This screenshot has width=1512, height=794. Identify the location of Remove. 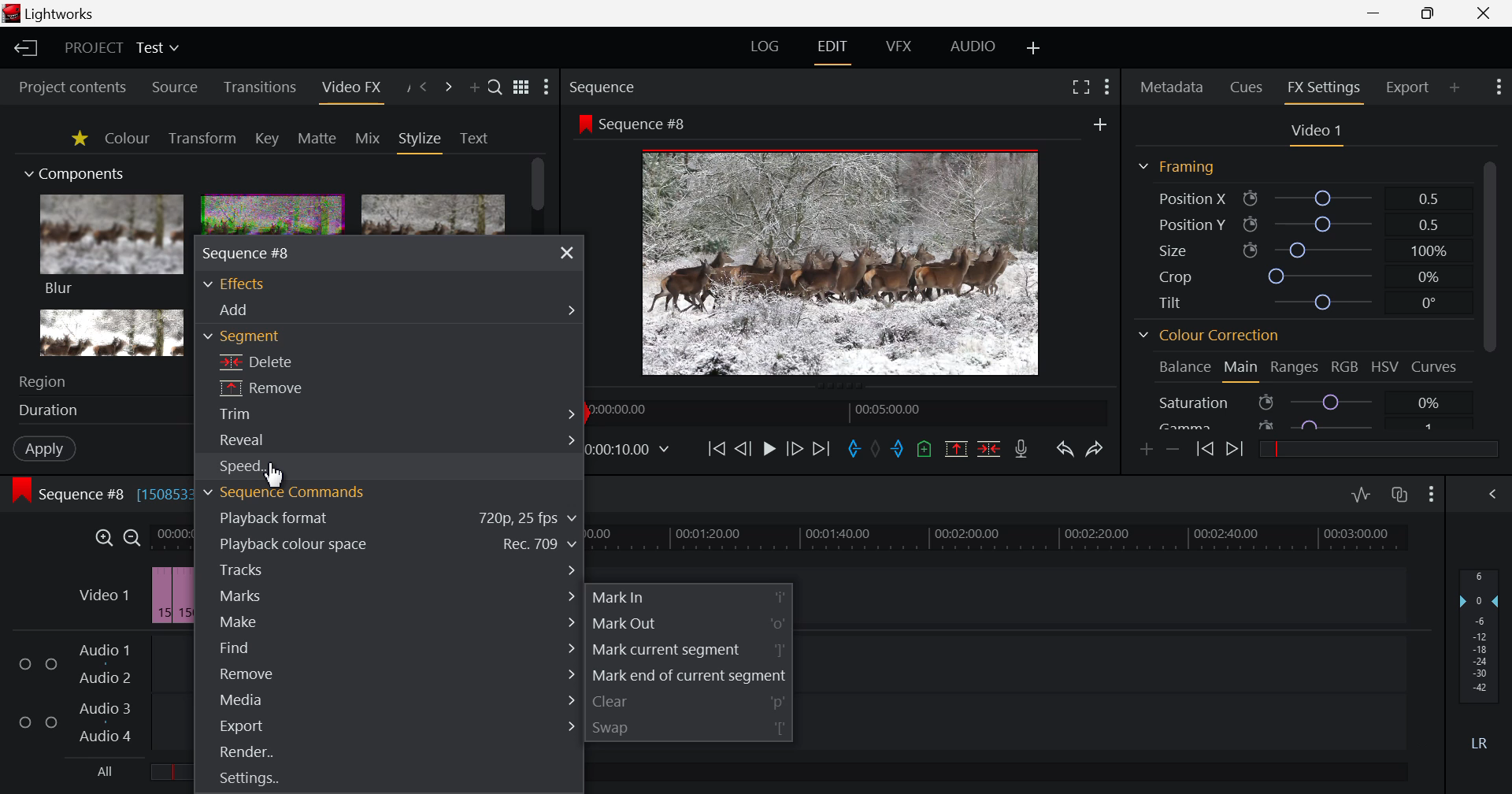
(389, 673).